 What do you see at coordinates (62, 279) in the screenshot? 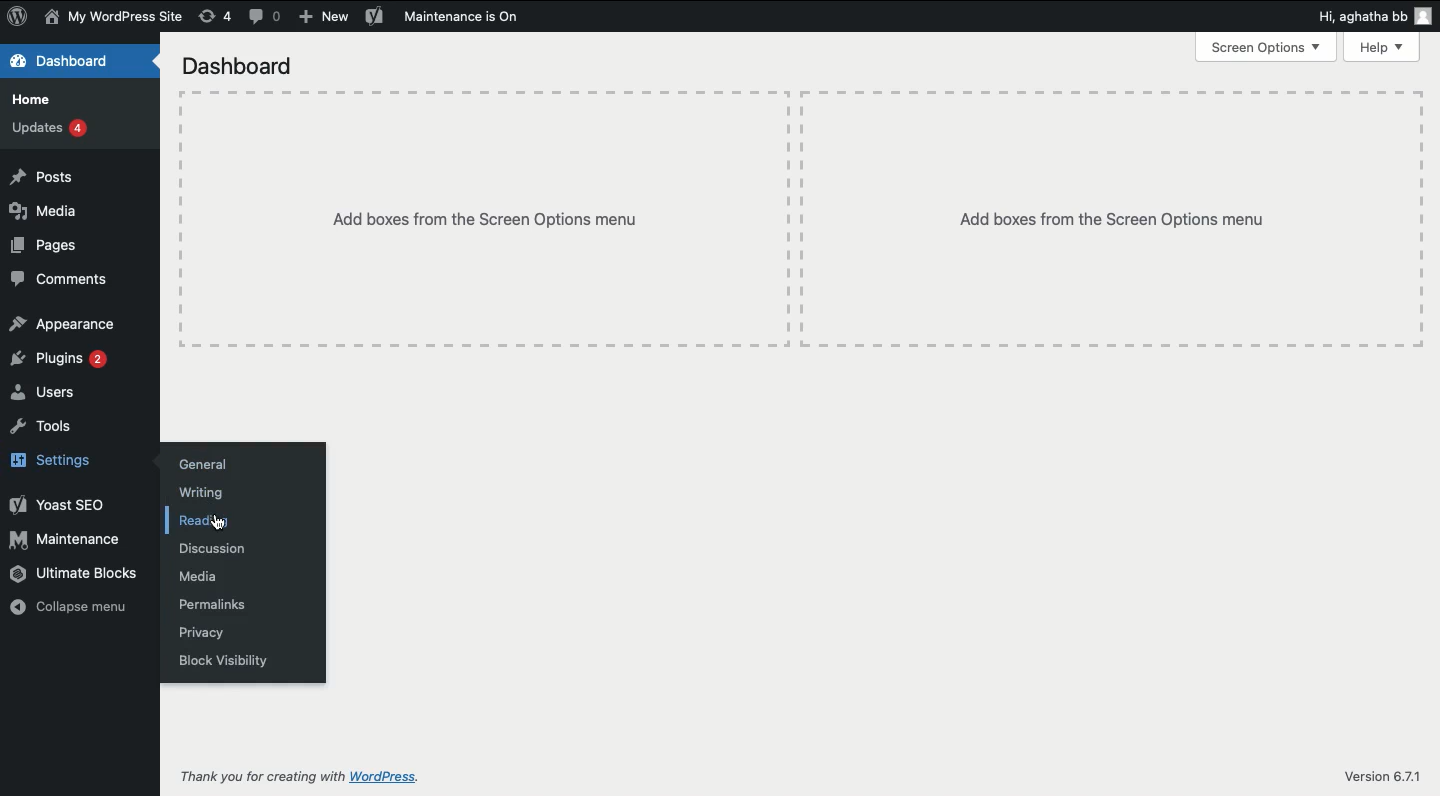
I see `comments` at bounding box center [62, 279].